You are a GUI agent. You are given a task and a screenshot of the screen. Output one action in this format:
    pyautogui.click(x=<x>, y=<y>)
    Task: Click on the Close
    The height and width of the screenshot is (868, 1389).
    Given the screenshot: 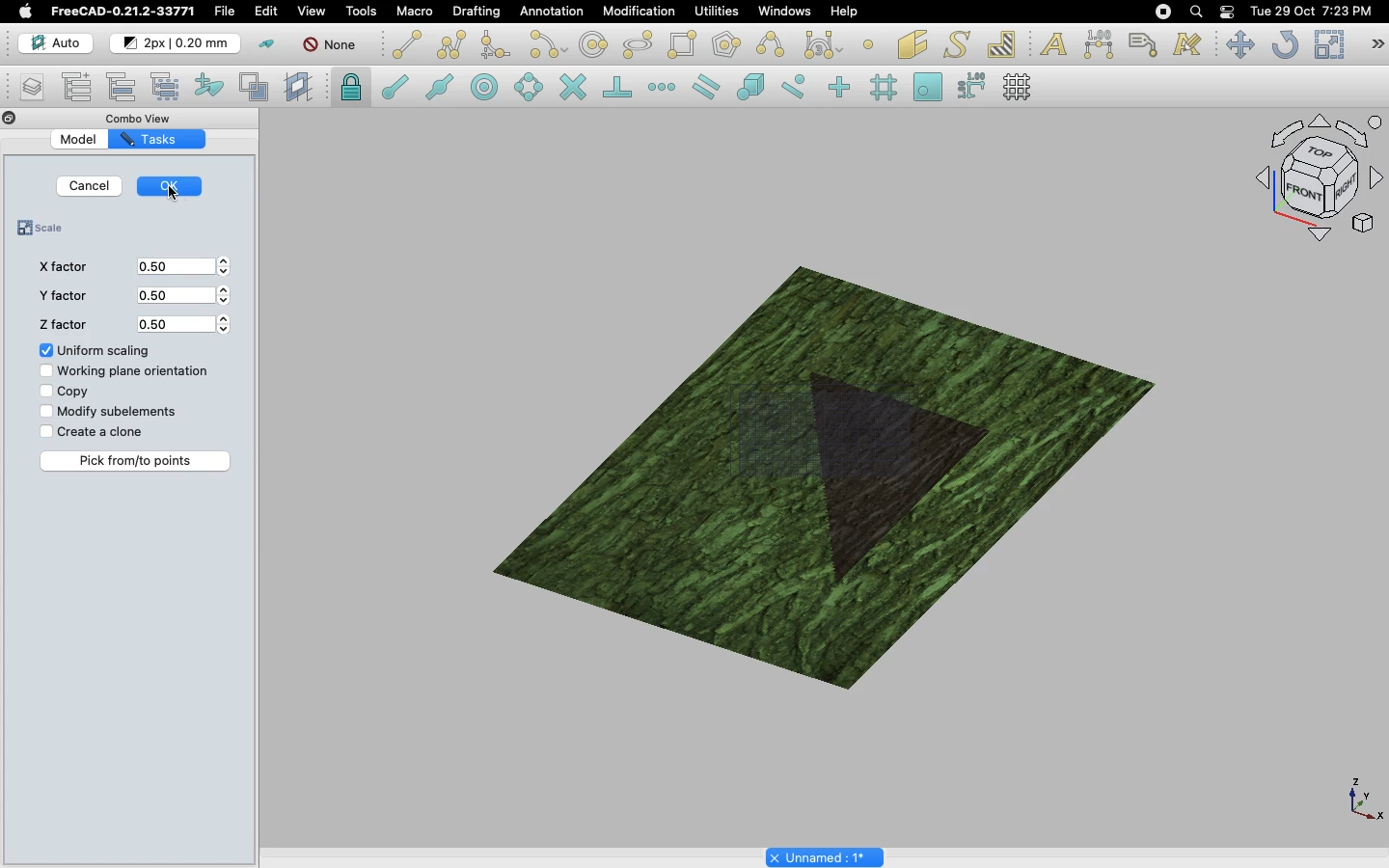 What is the action you would take?
    pyautogui.click(x=8, y=118)
    